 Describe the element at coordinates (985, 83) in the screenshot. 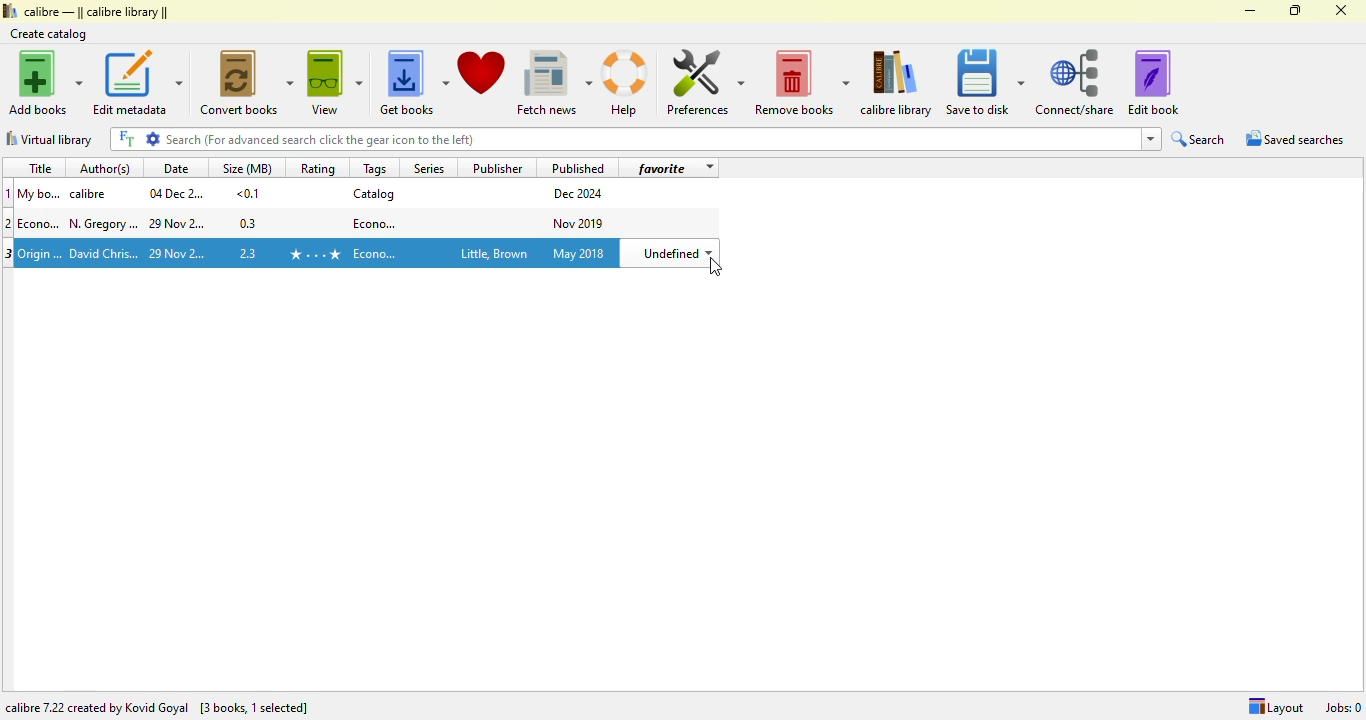

I see `save to disk` at that location.